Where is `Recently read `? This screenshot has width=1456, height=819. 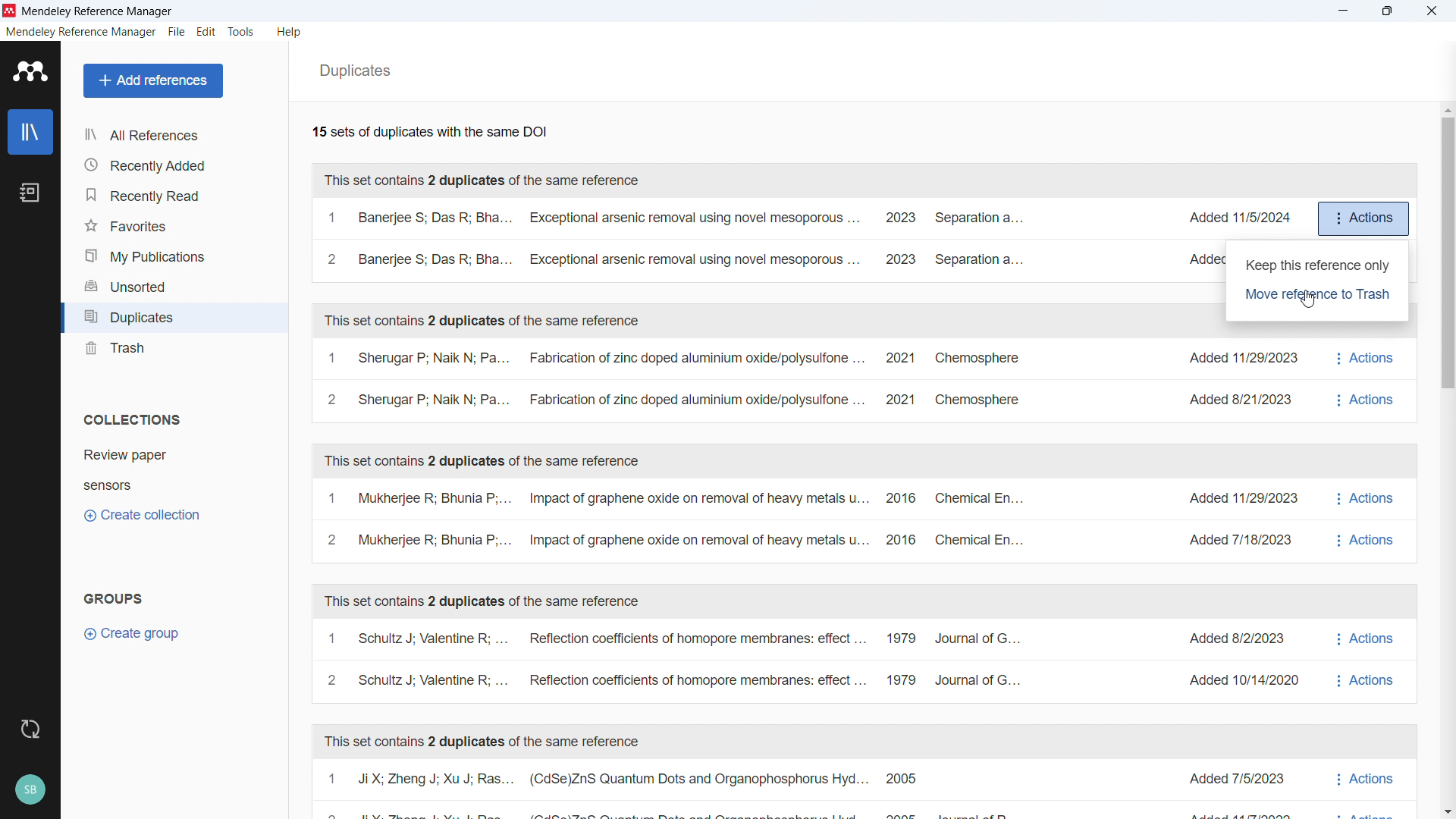
Recently read  is located at coordinates (172, 193).